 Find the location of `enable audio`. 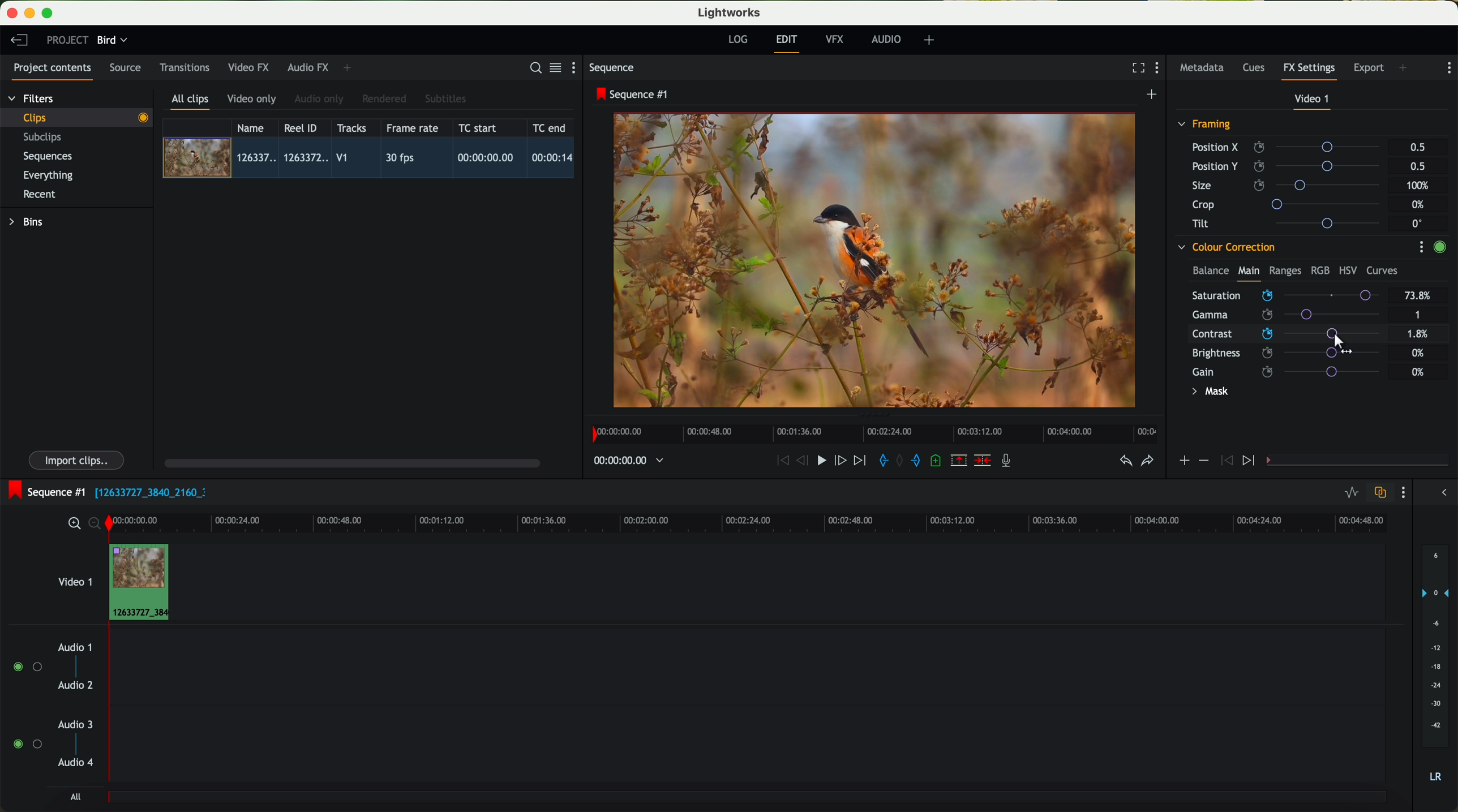

enable audio is located at coordinates (27, 744).